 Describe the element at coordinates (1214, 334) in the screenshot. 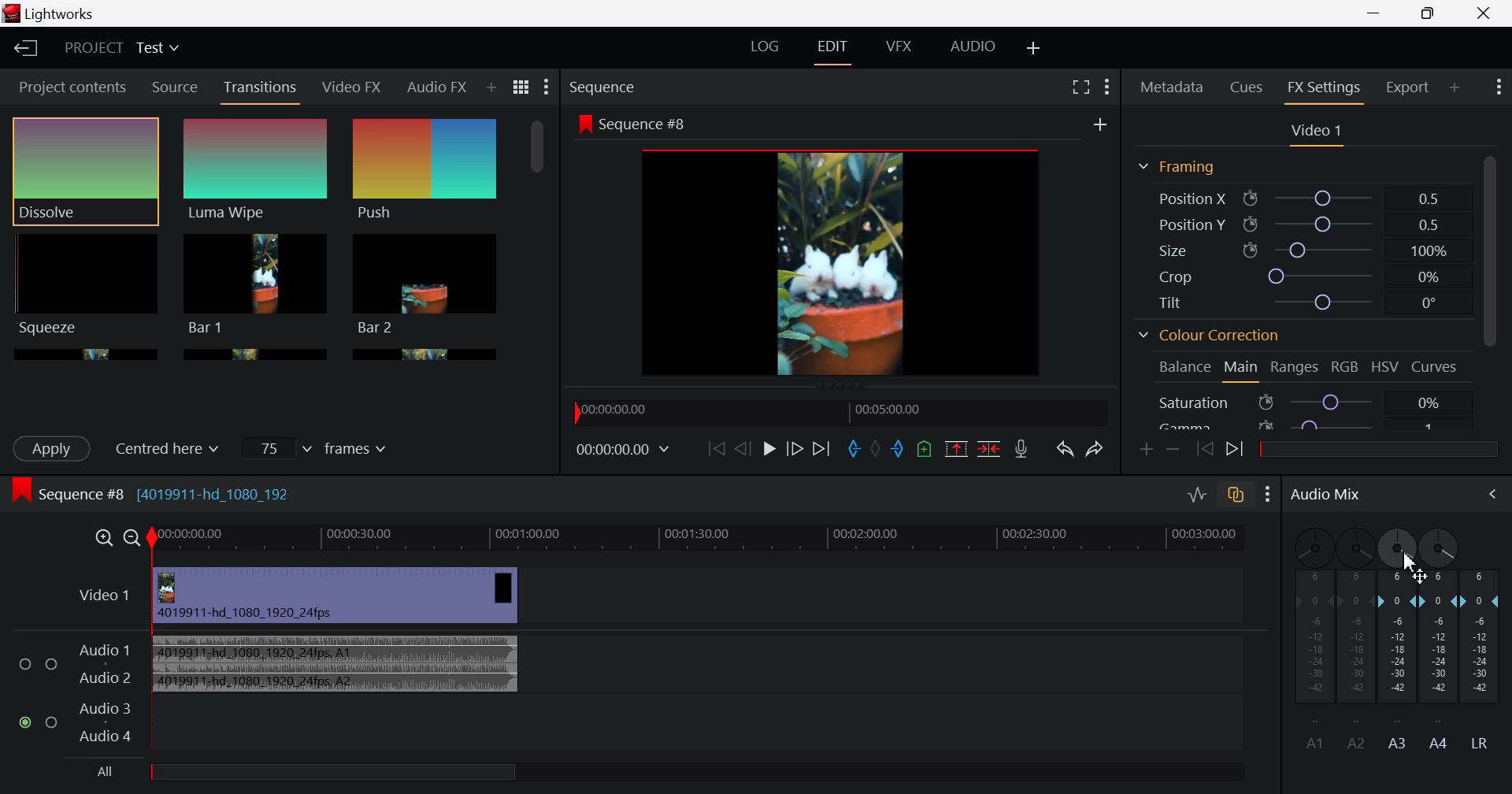

I see `Colour Correction` at that location.